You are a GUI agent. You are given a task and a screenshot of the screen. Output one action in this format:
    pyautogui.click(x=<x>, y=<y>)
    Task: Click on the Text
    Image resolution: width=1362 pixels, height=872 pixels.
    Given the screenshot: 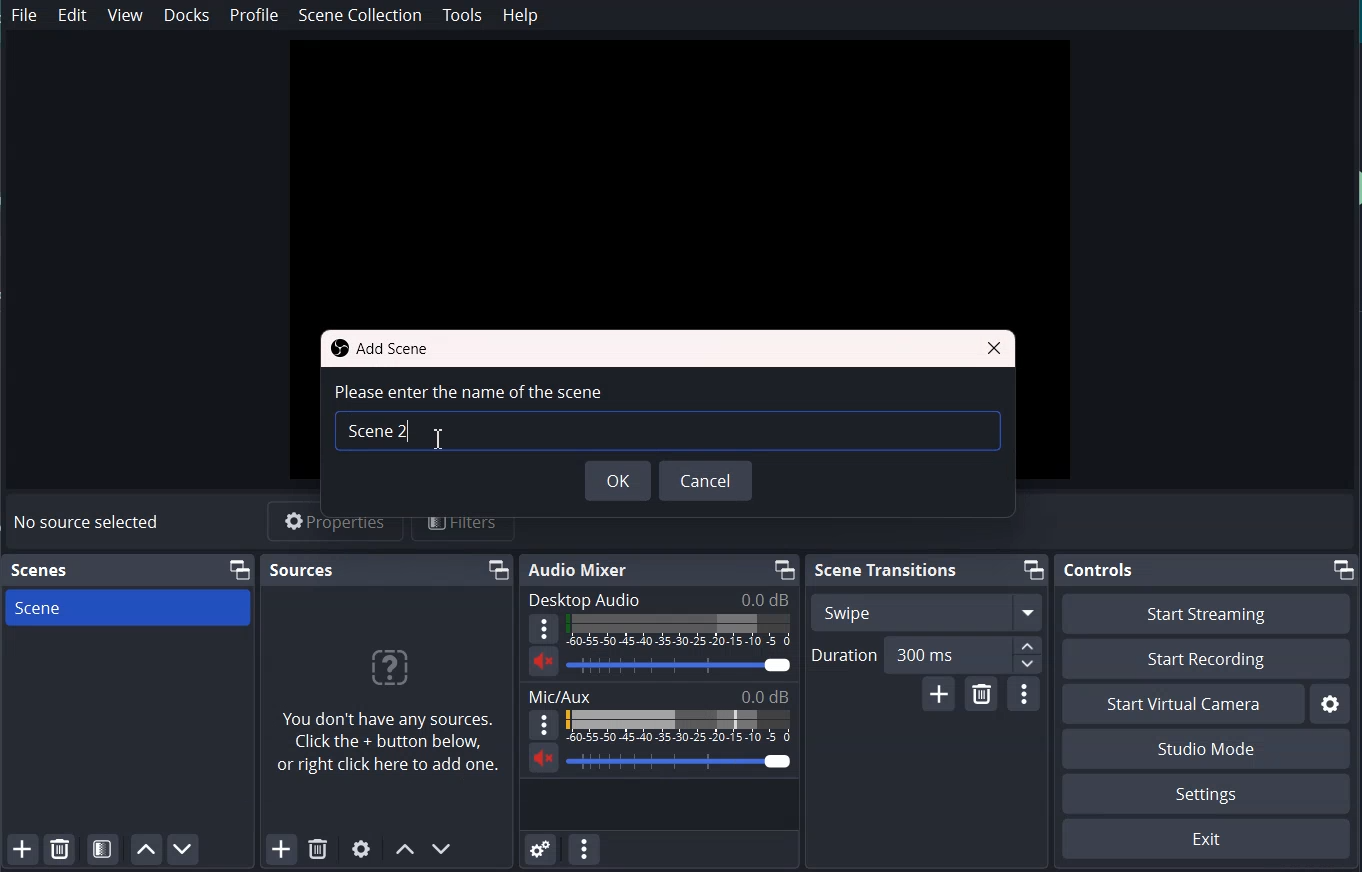 What is the action you would take?
    pyautogui.click(x=468, y=391)
    